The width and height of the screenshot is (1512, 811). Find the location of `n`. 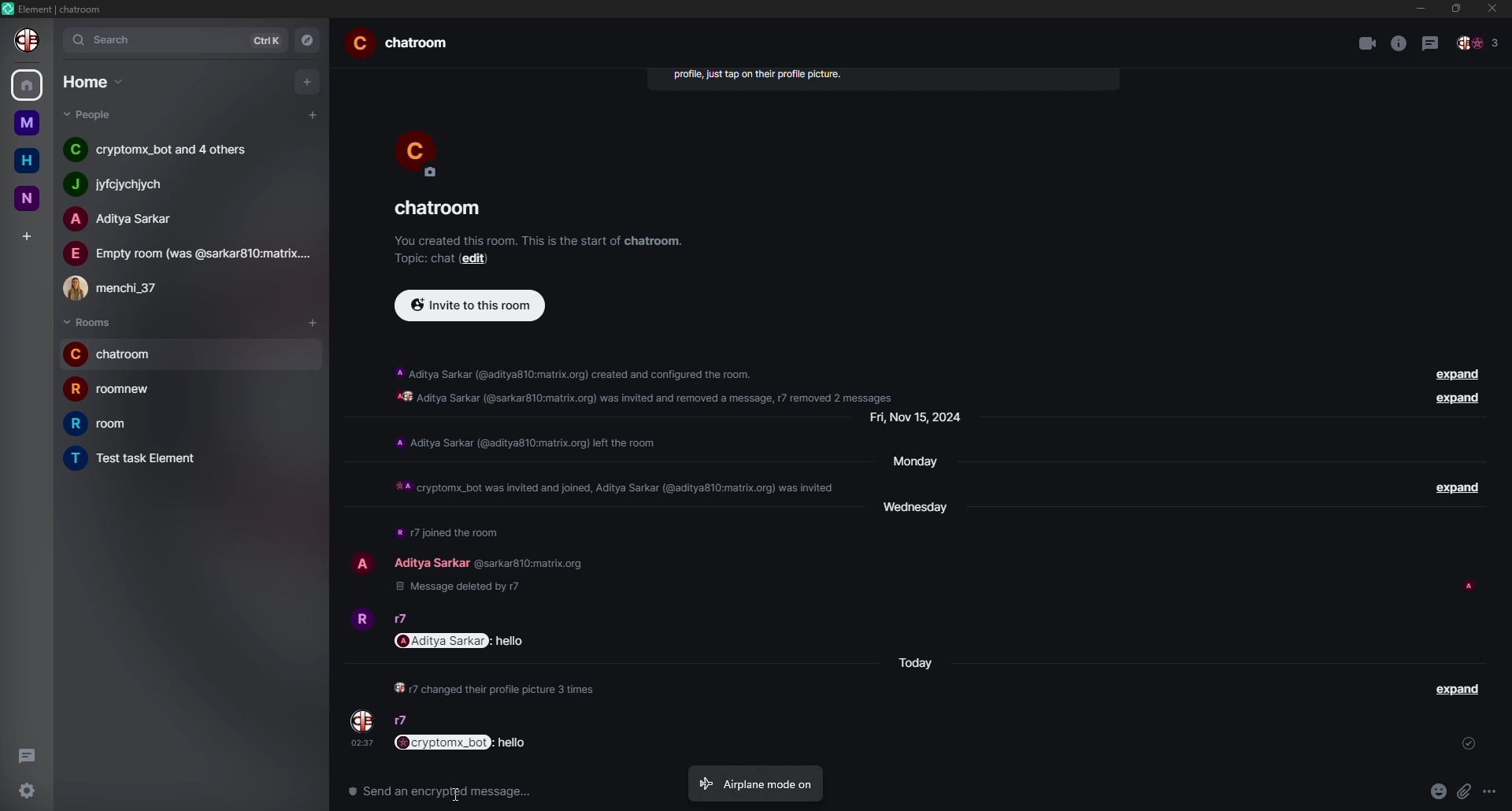

n is located at coordinates (28, 200).